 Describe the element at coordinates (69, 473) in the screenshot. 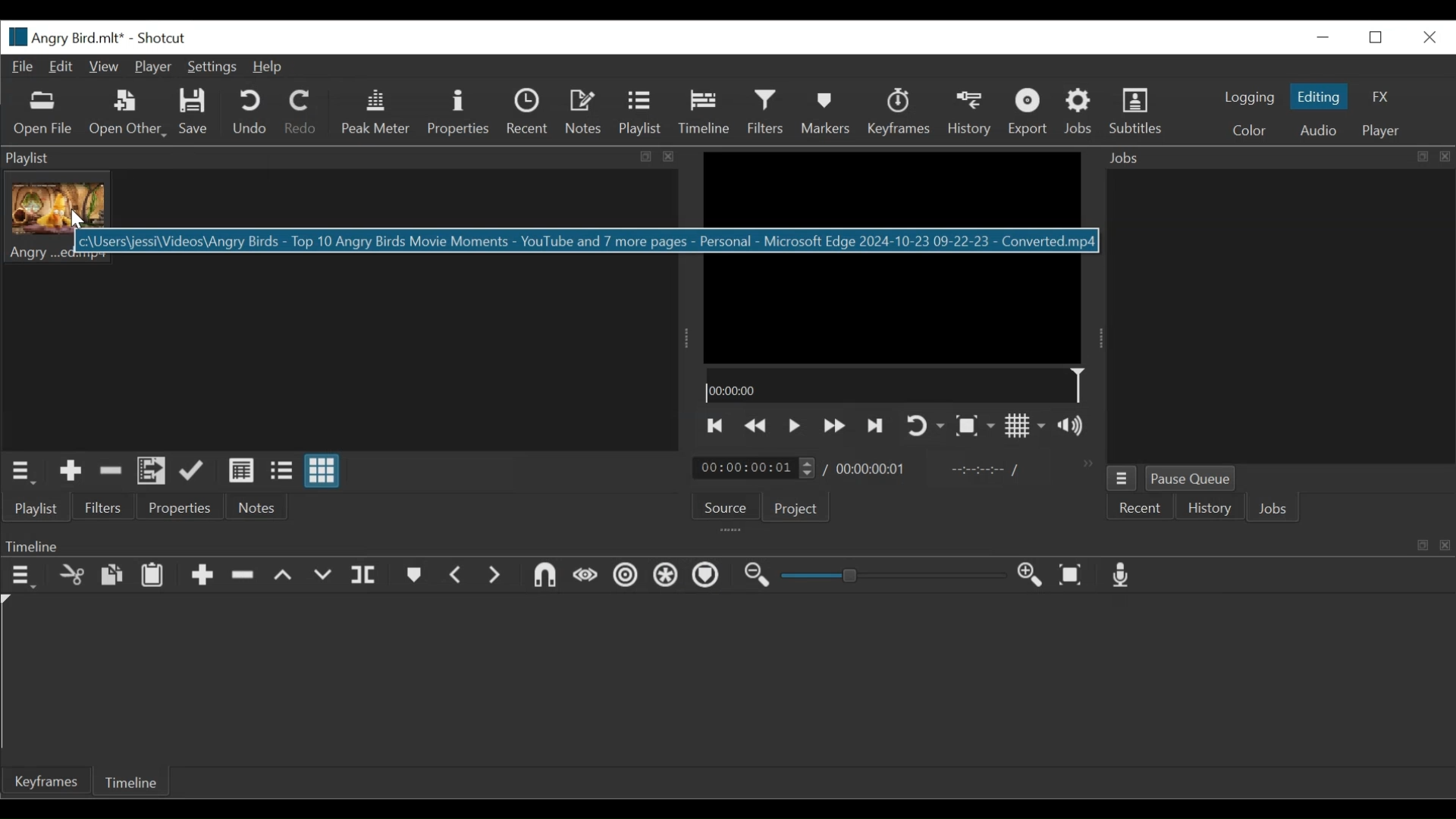

I see `Add the source to the playlist` at that location.